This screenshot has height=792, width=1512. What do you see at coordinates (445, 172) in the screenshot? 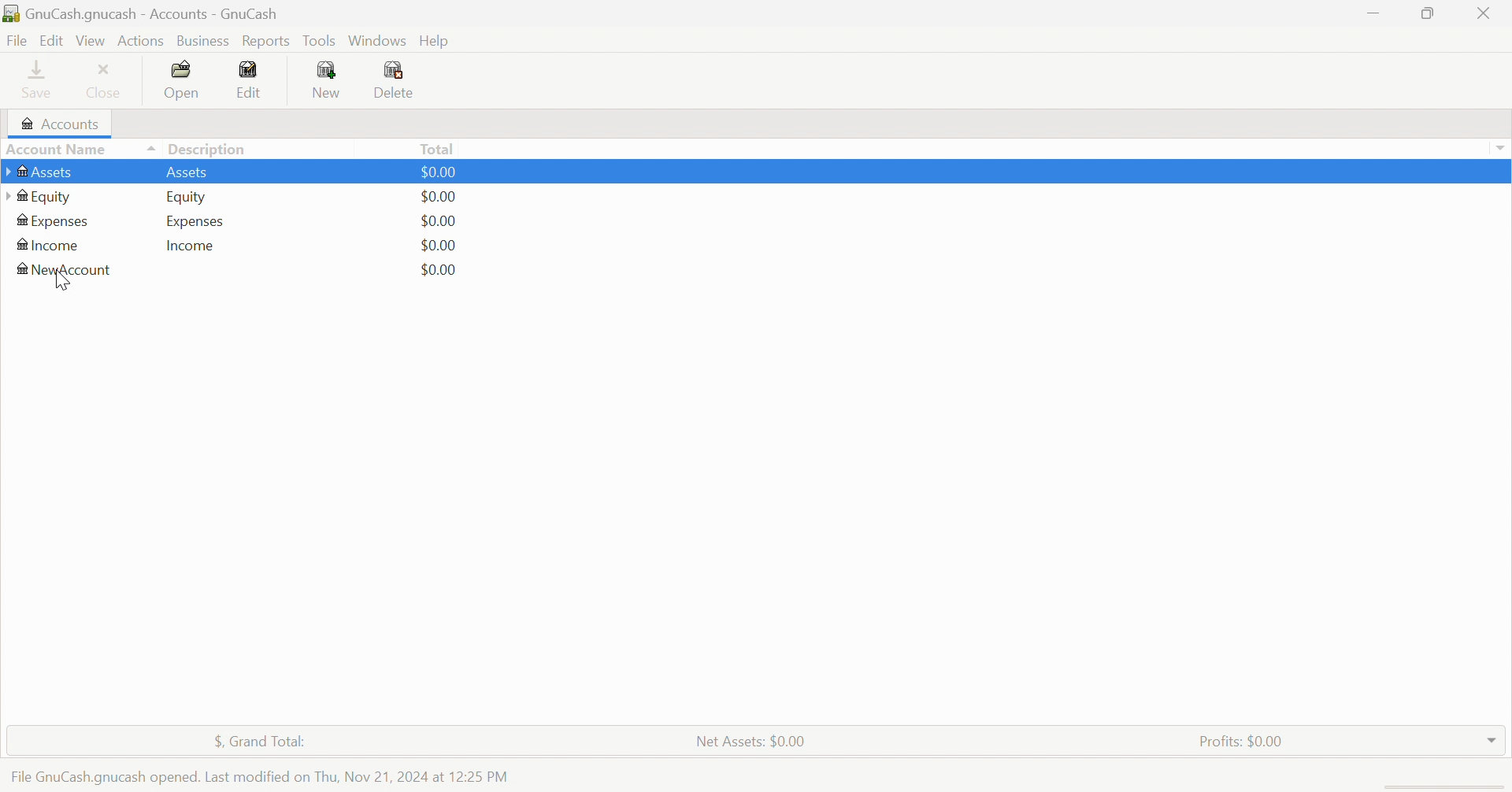
I see `$0.00` at bounding box center [445, 172].